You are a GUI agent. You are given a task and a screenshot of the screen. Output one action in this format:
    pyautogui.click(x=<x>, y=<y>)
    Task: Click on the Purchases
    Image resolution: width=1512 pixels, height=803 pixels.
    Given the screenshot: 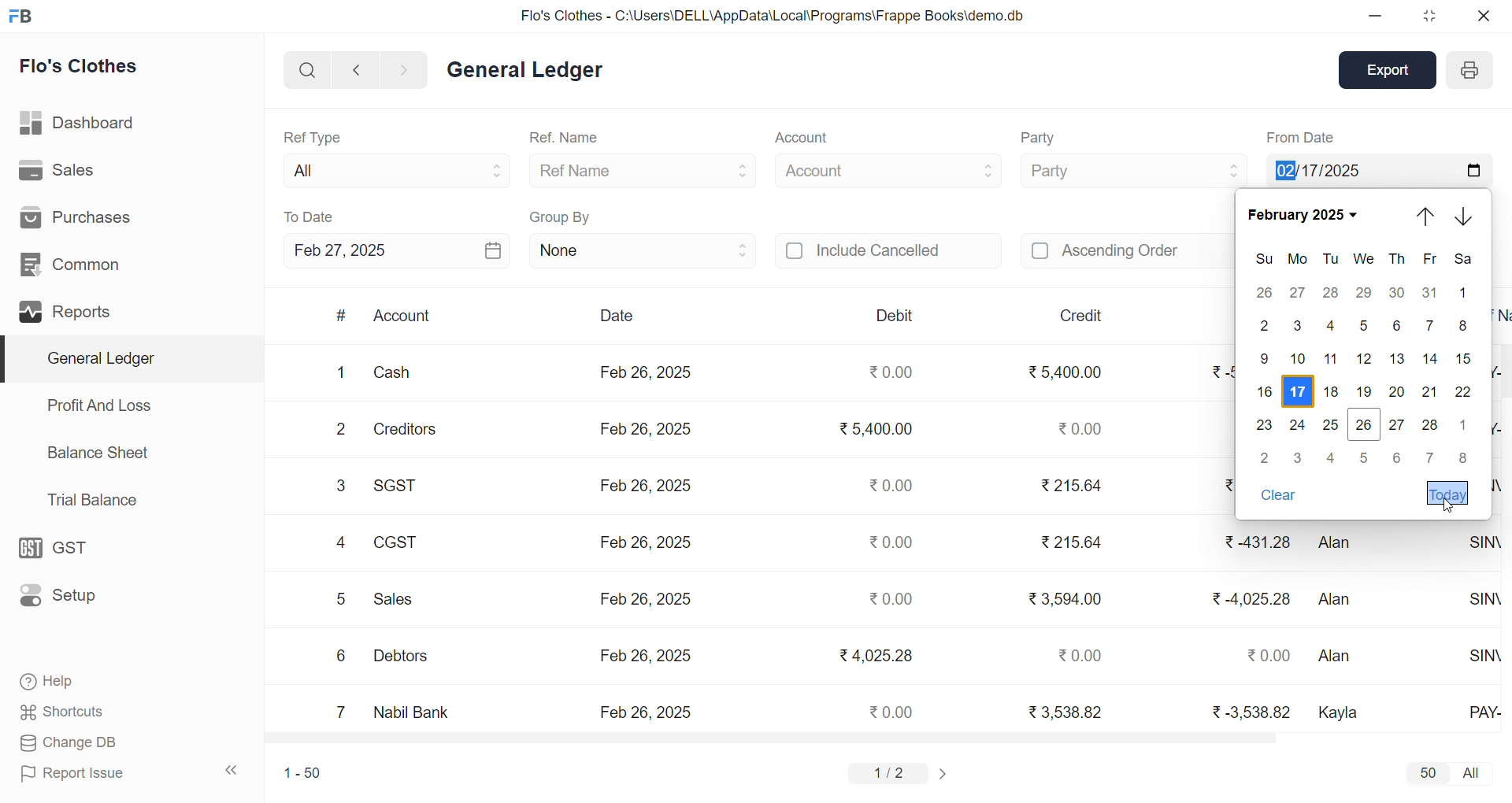 What is the action you would take?
    pyautogui.click(x=84, y=216)
    